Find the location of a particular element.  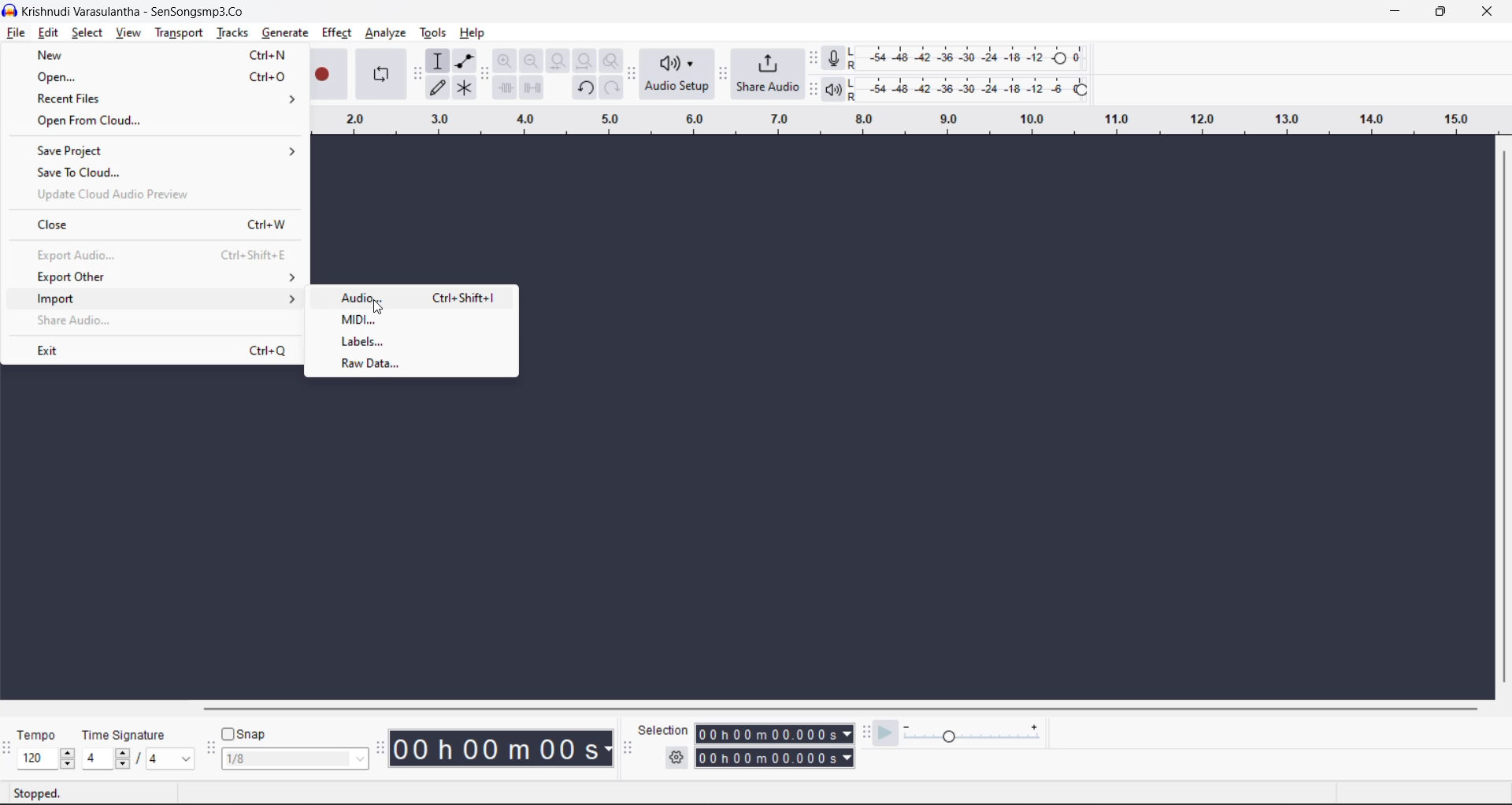

effect is located at coordinates (336, 33).